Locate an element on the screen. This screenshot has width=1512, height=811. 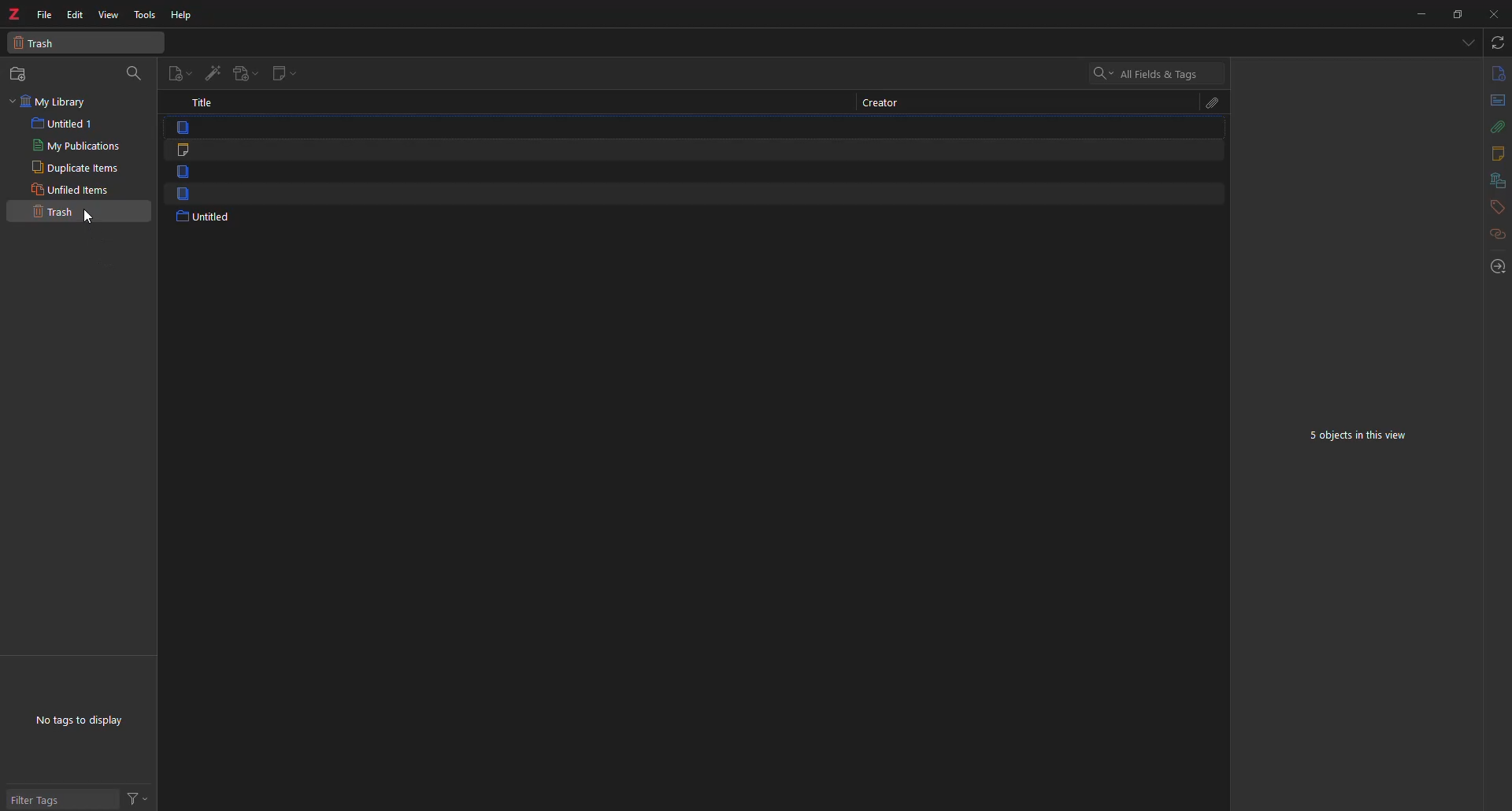
my pubications is located at coordinates (80, 146).